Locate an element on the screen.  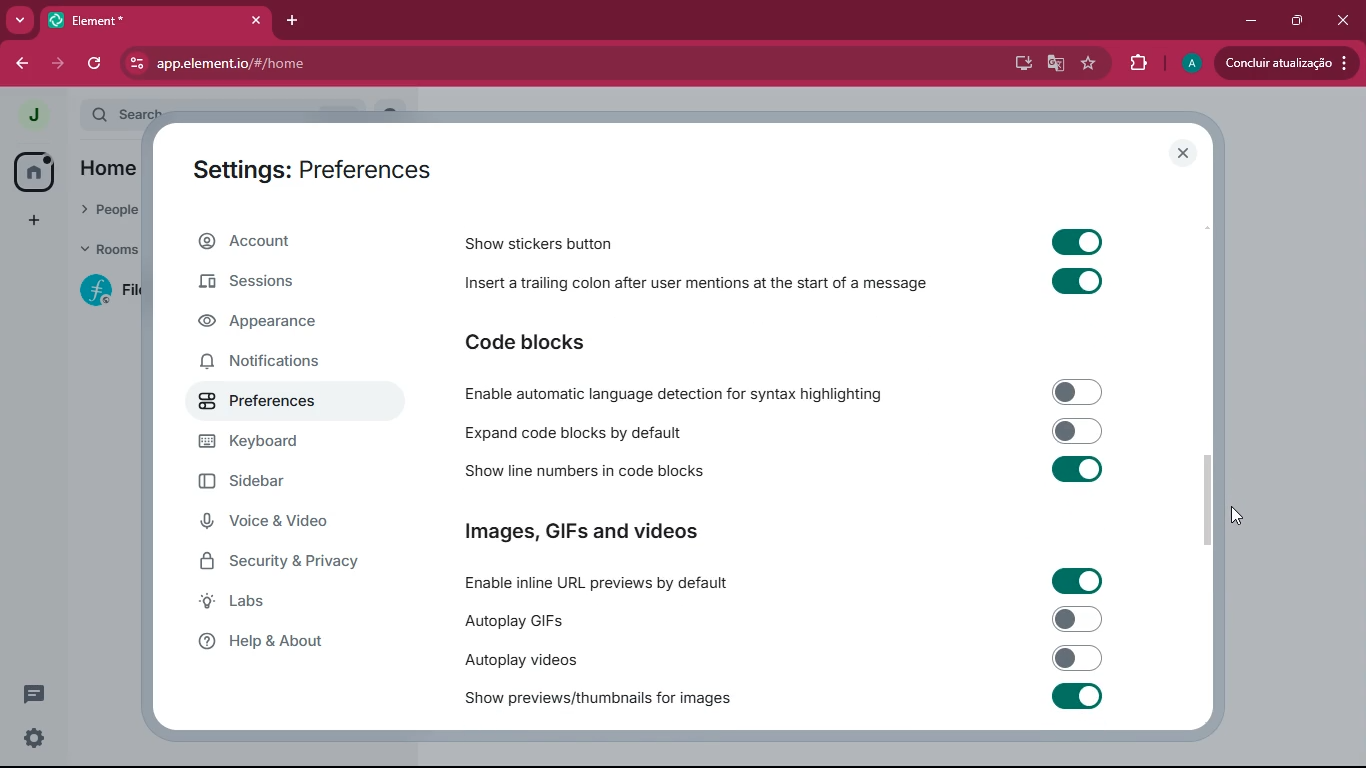
close is located at coordinates (1345, 18).